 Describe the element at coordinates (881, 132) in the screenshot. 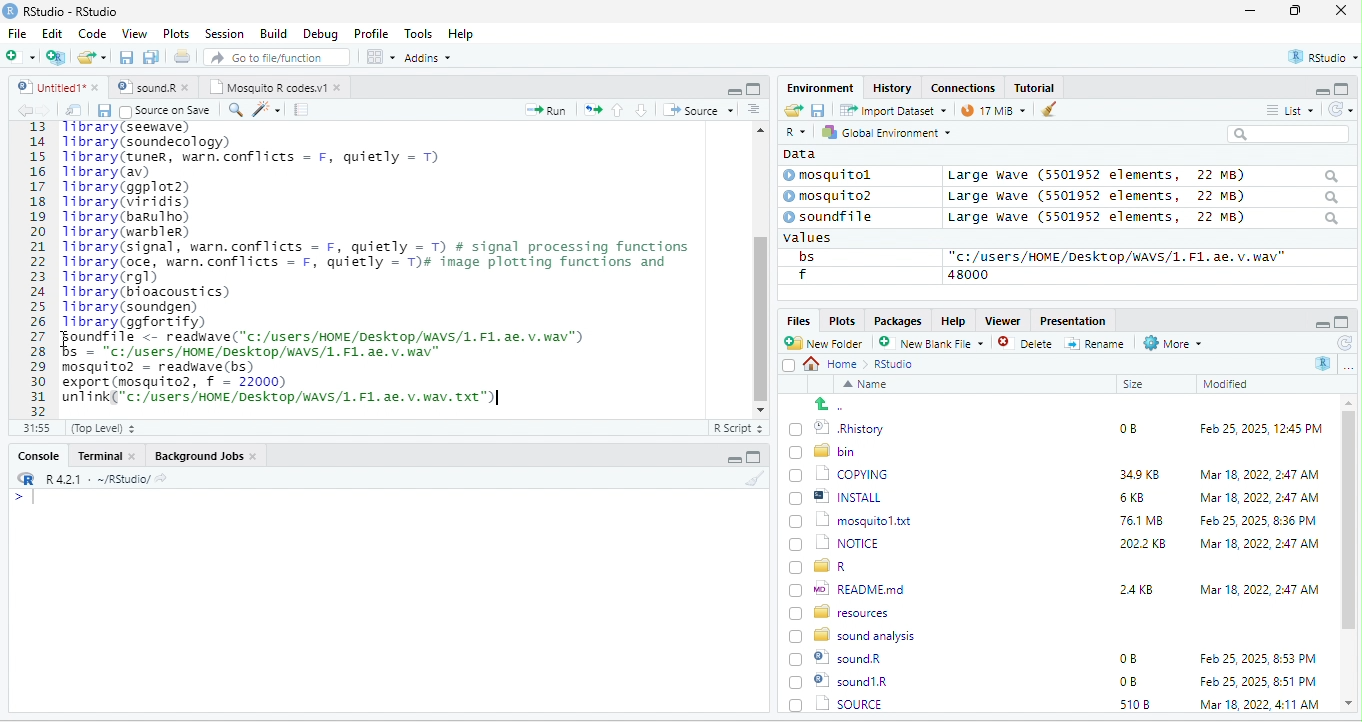

I see `hy Global Environment ~` at that location.